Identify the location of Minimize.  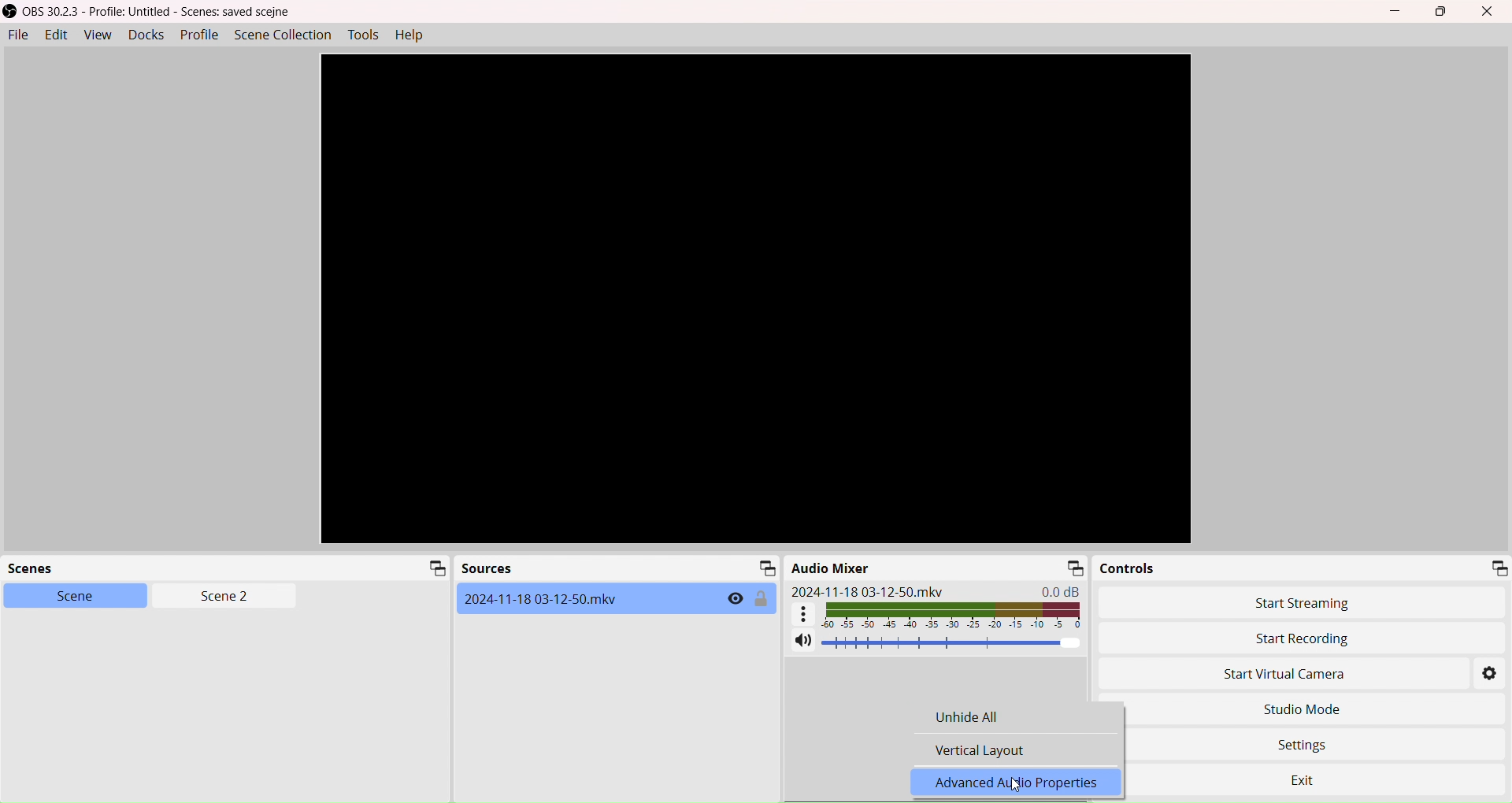
(1399, 12).